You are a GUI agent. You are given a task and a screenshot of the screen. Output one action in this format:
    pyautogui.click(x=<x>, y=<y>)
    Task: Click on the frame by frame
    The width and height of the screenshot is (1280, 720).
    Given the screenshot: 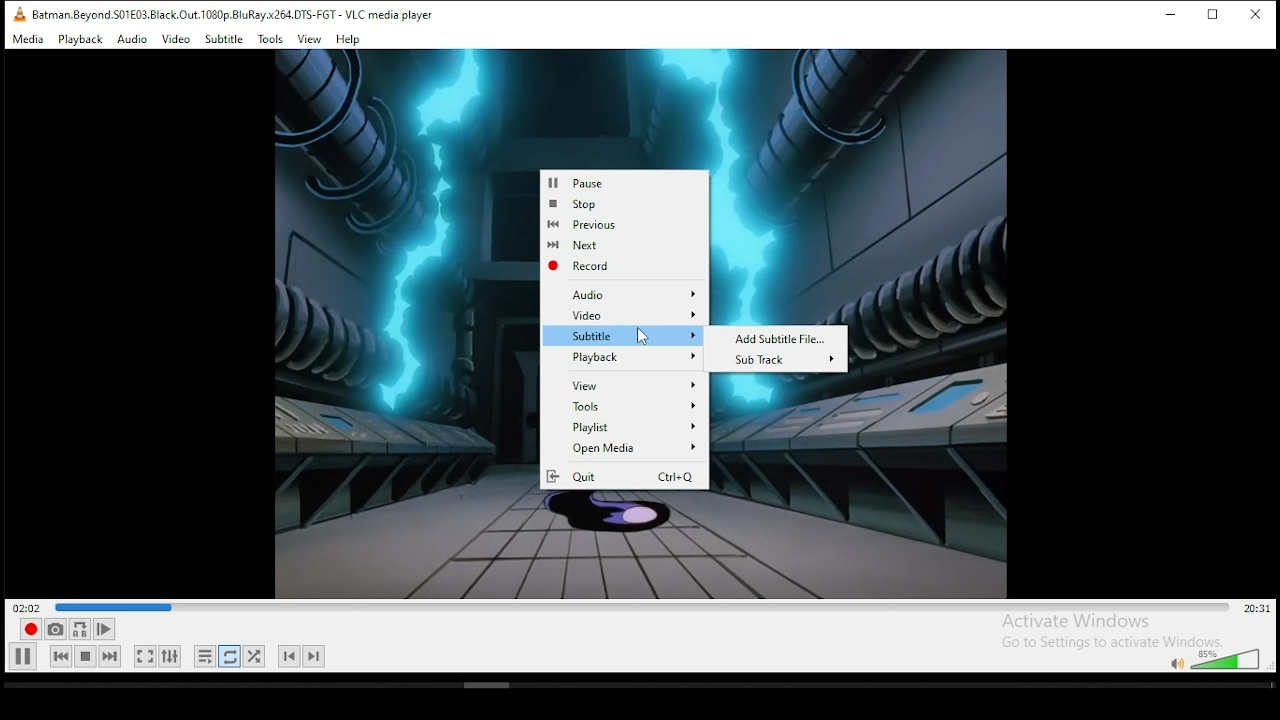 What is the action you would take?
    pyautogui.click(x=105, y=629)
    